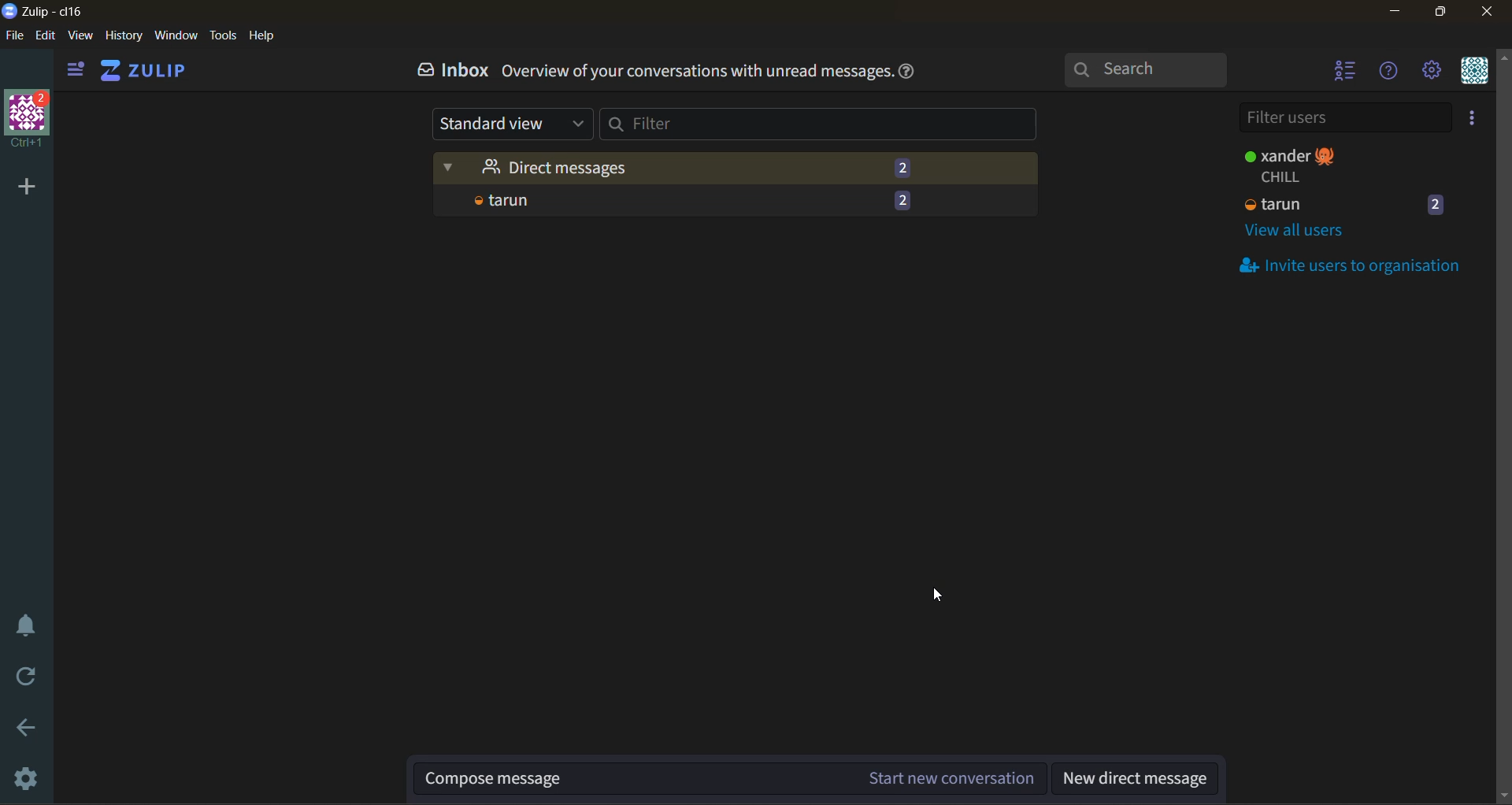 This screenshot has height=805, width=1512. I want to click on edit, so click(50, 36).